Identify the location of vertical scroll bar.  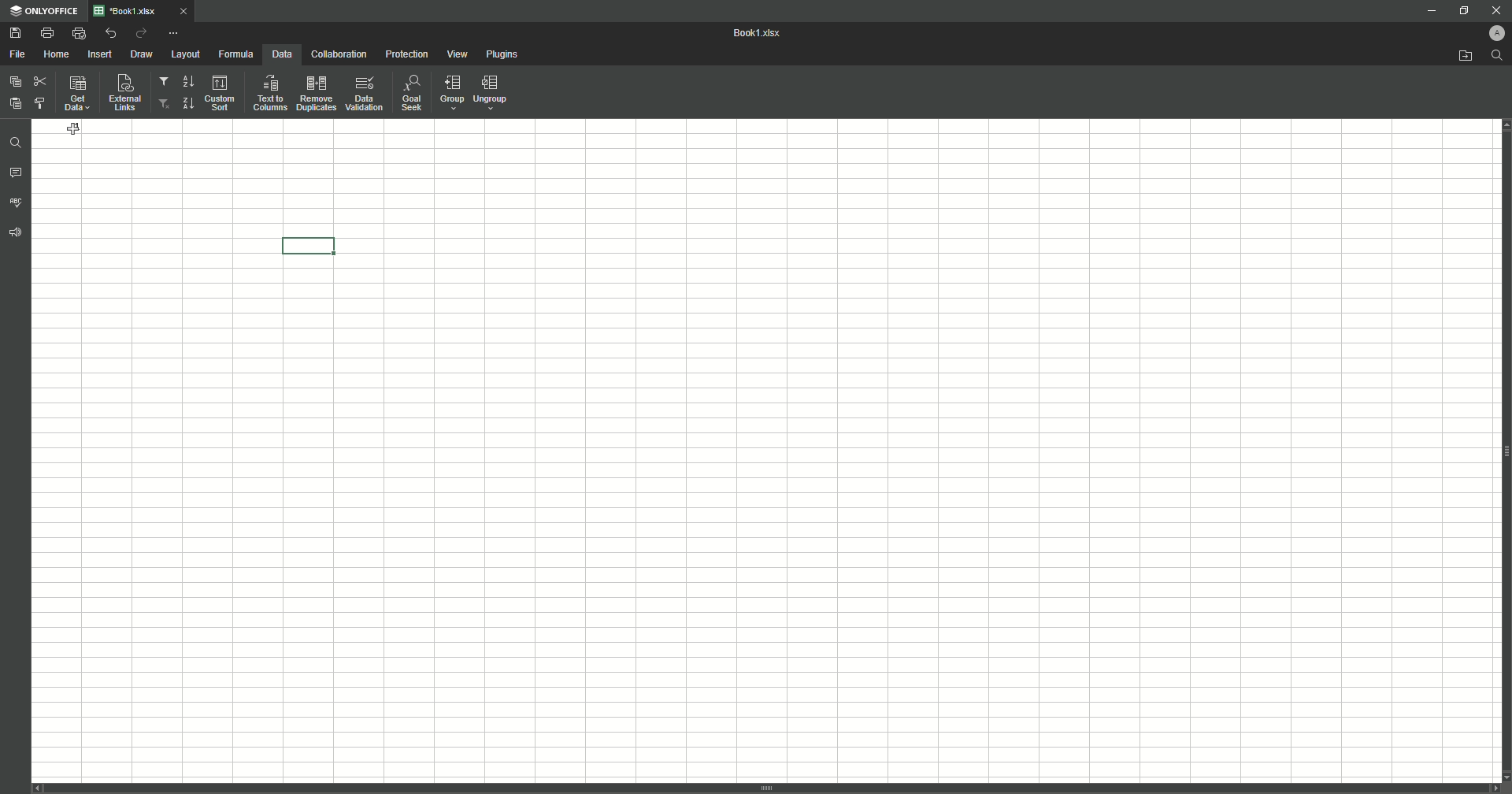
(766, 788).